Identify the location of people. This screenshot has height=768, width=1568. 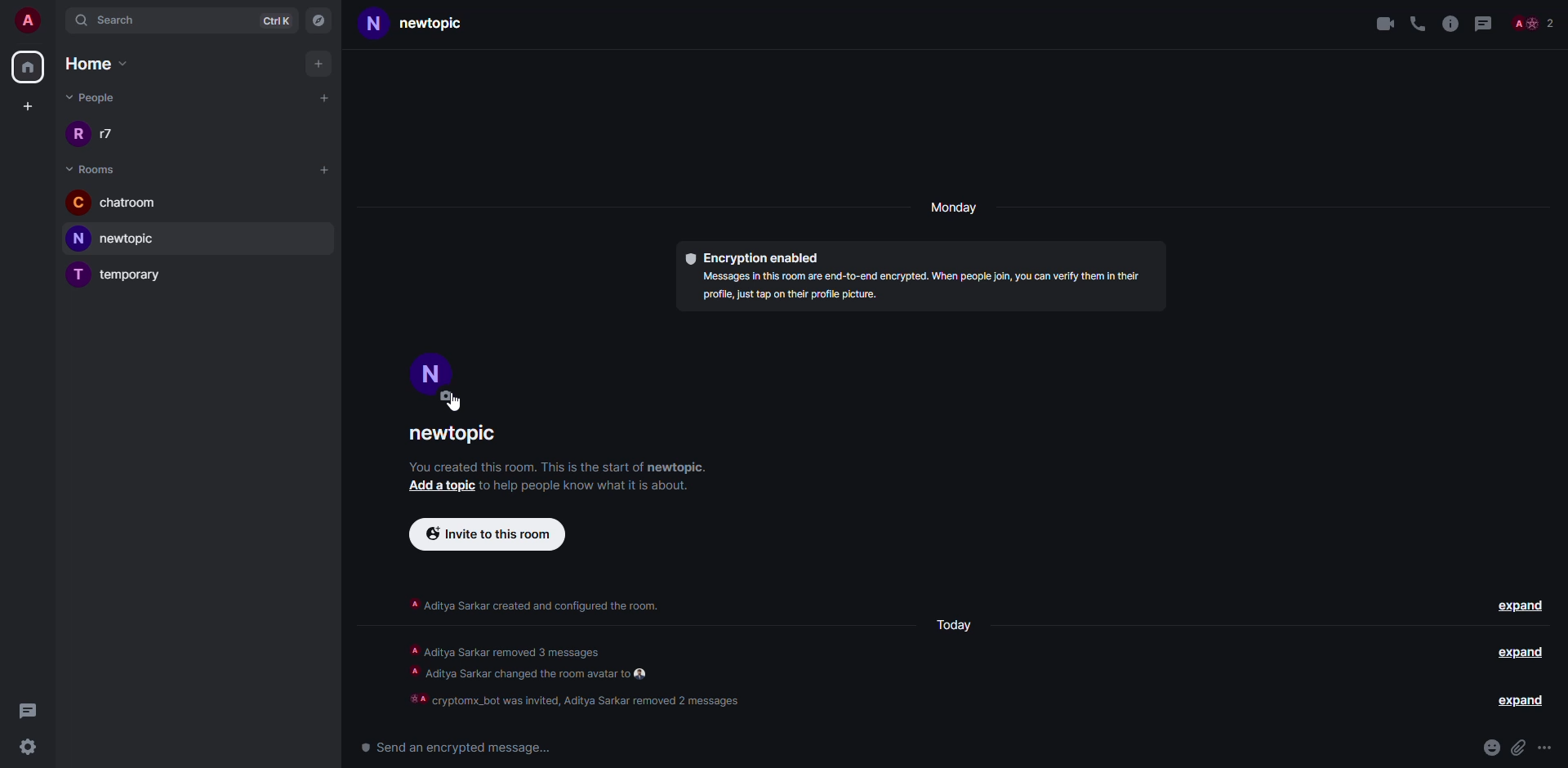
(1534, 22).